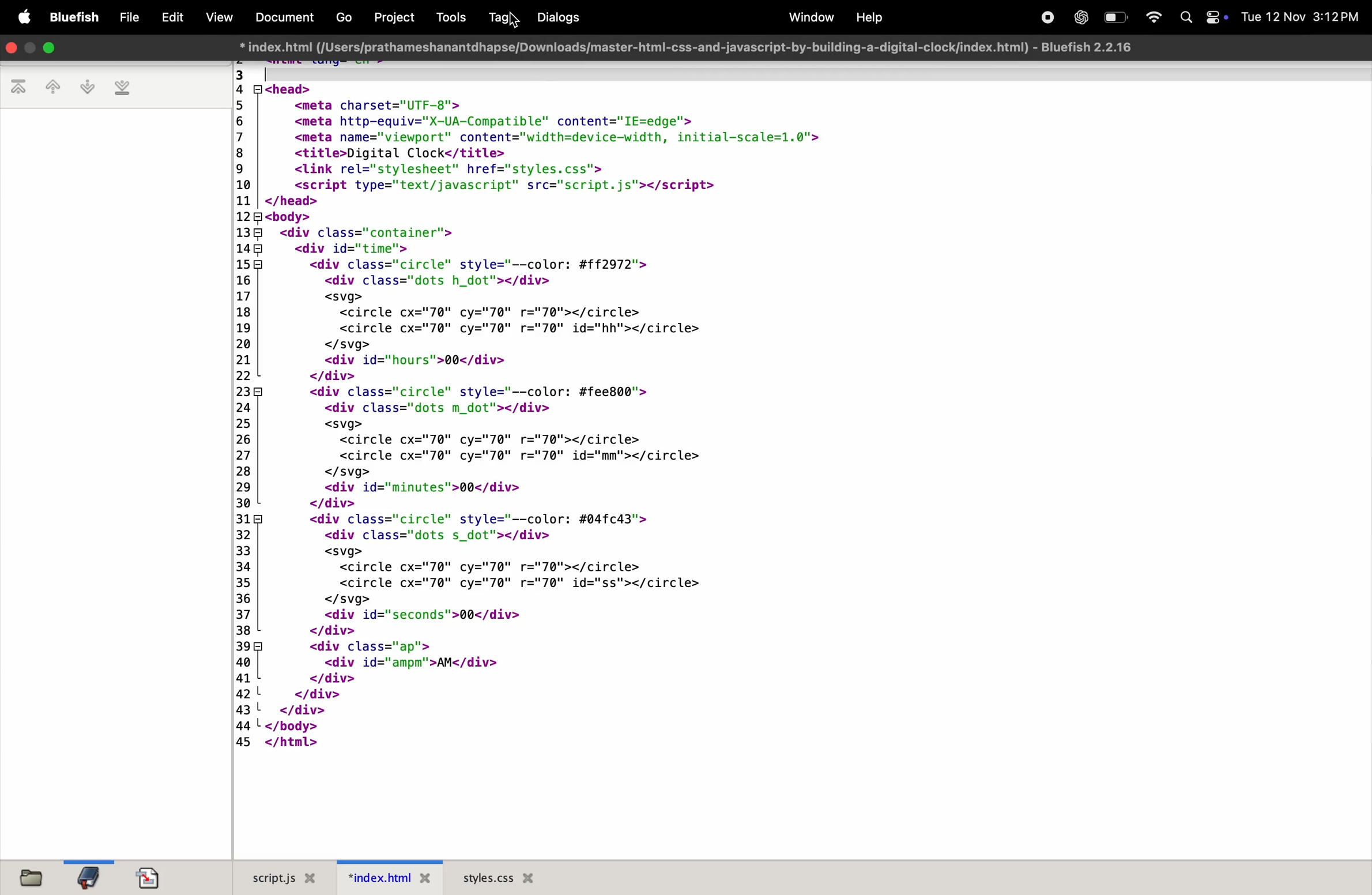 The width and height of the screenshot is (1372, 895). Describe the element at coordinates (129, 18) in the screenshot. I see `file` at that location.